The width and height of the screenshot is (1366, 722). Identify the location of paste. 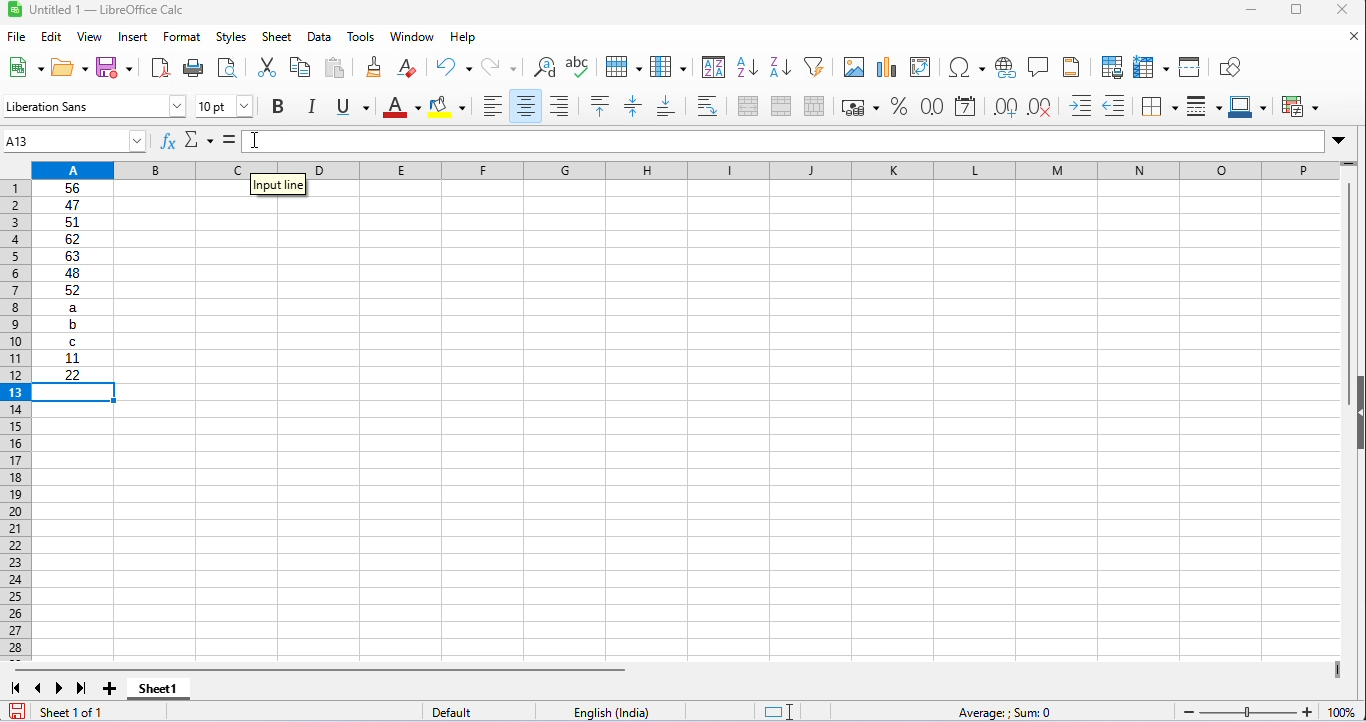
(336, 68).